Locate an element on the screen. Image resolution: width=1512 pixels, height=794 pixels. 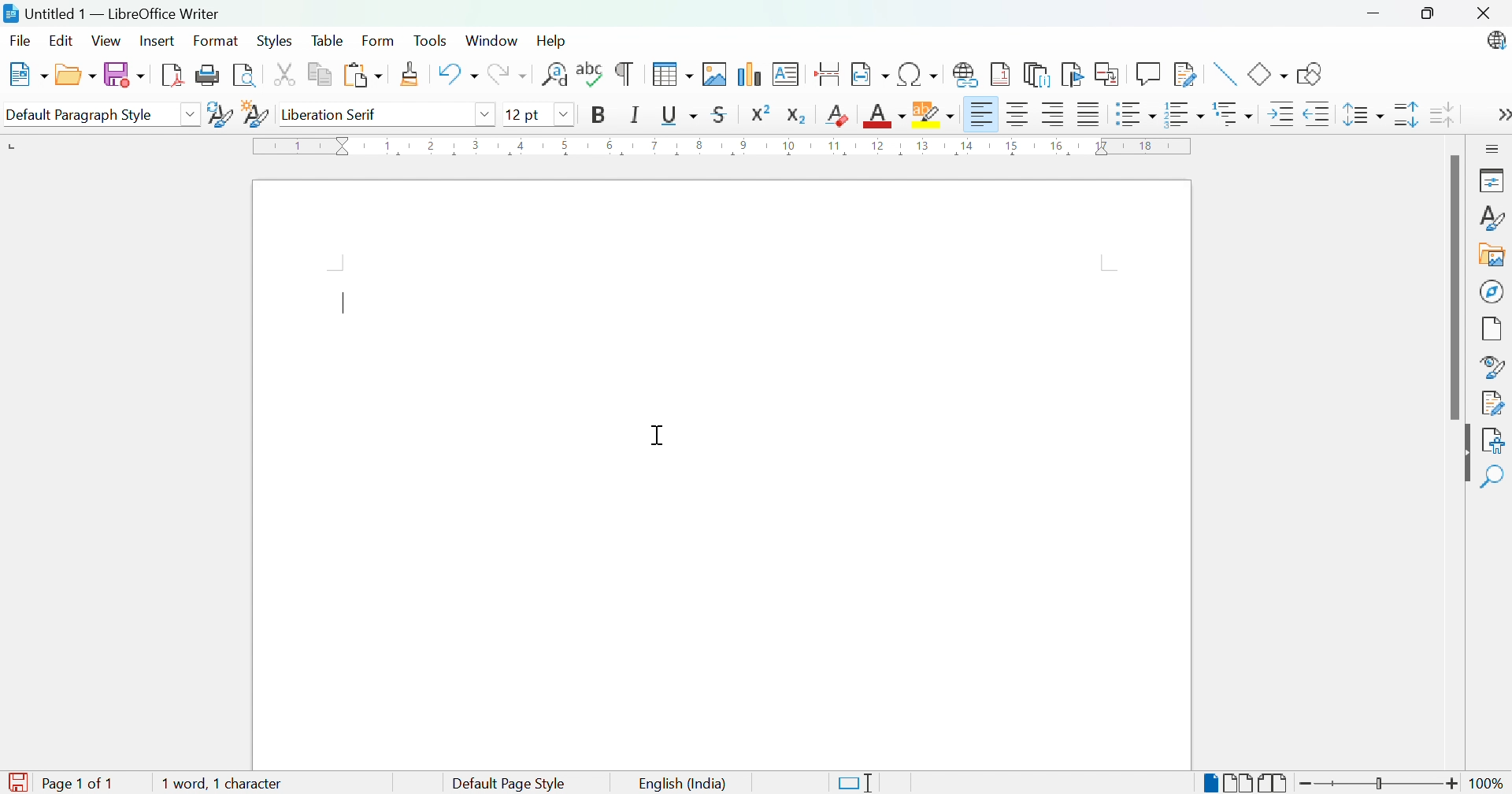
Hide is located at coordinates (1464, 454).